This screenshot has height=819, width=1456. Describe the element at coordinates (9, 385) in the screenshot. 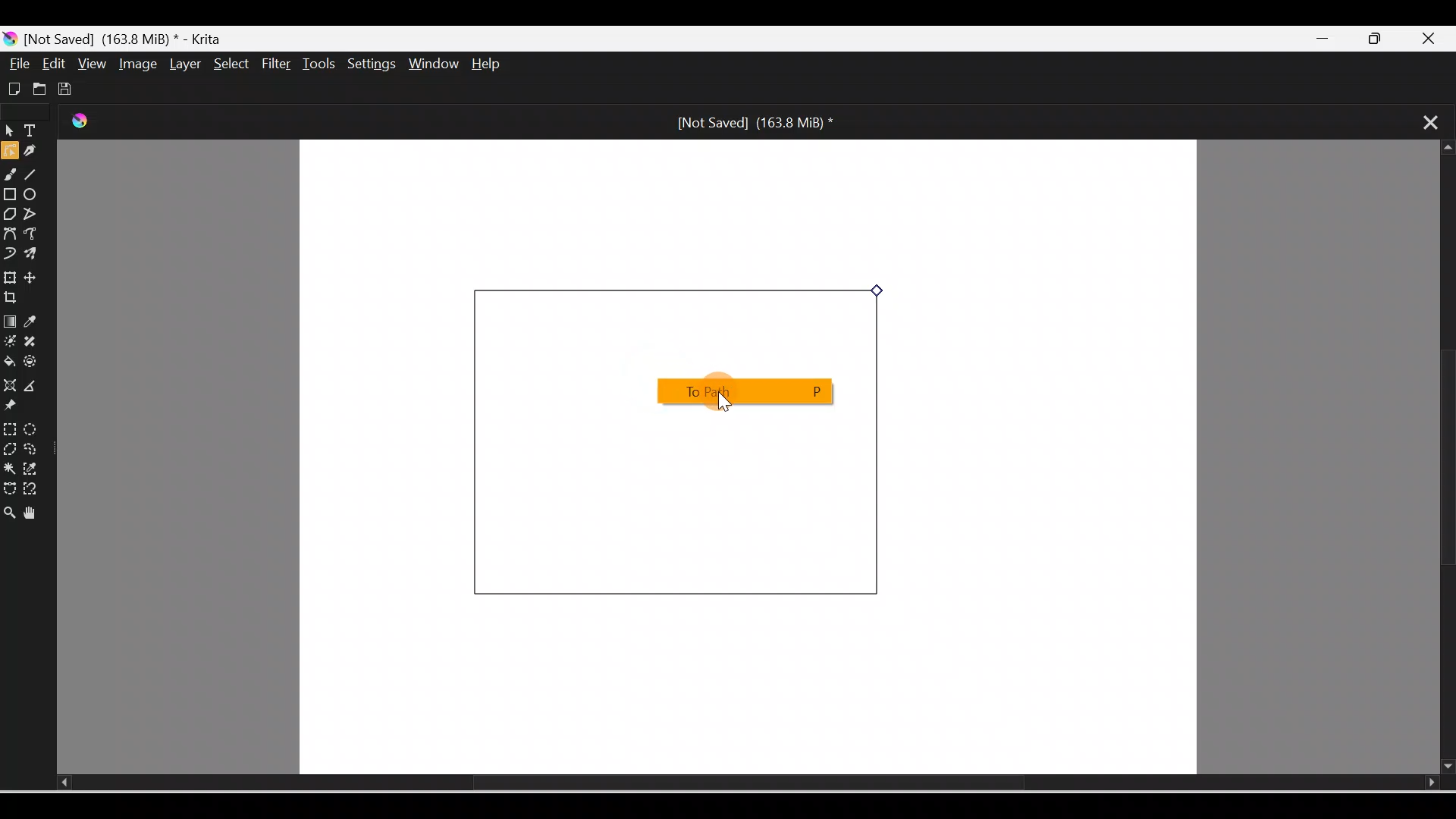

I see `Assistant tool` at that location.